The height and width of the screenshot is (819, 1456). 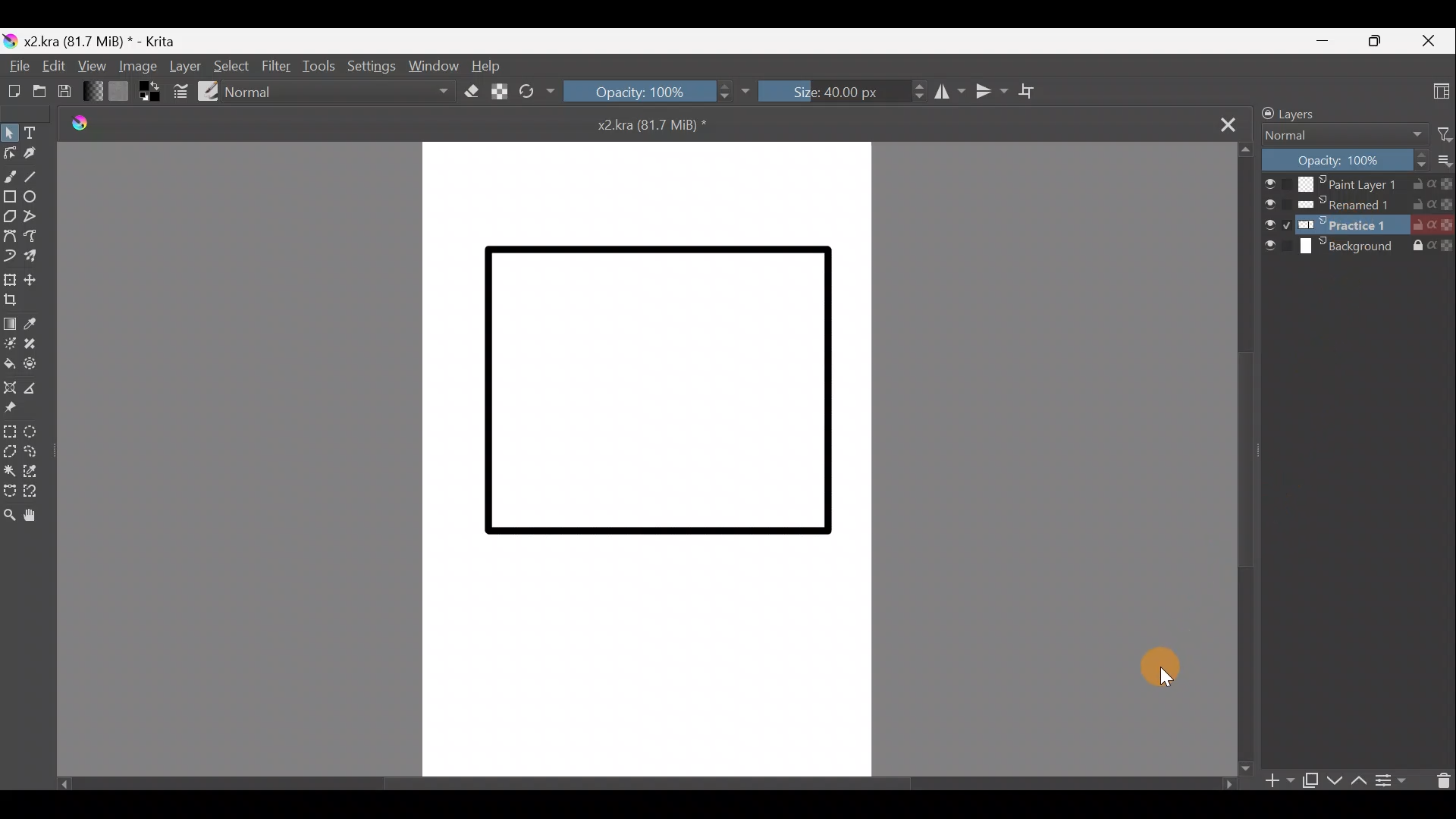 What do you see at coordinates (277, 67) in the screenshot?
I see `Filter` at bounding box center [277, 67].